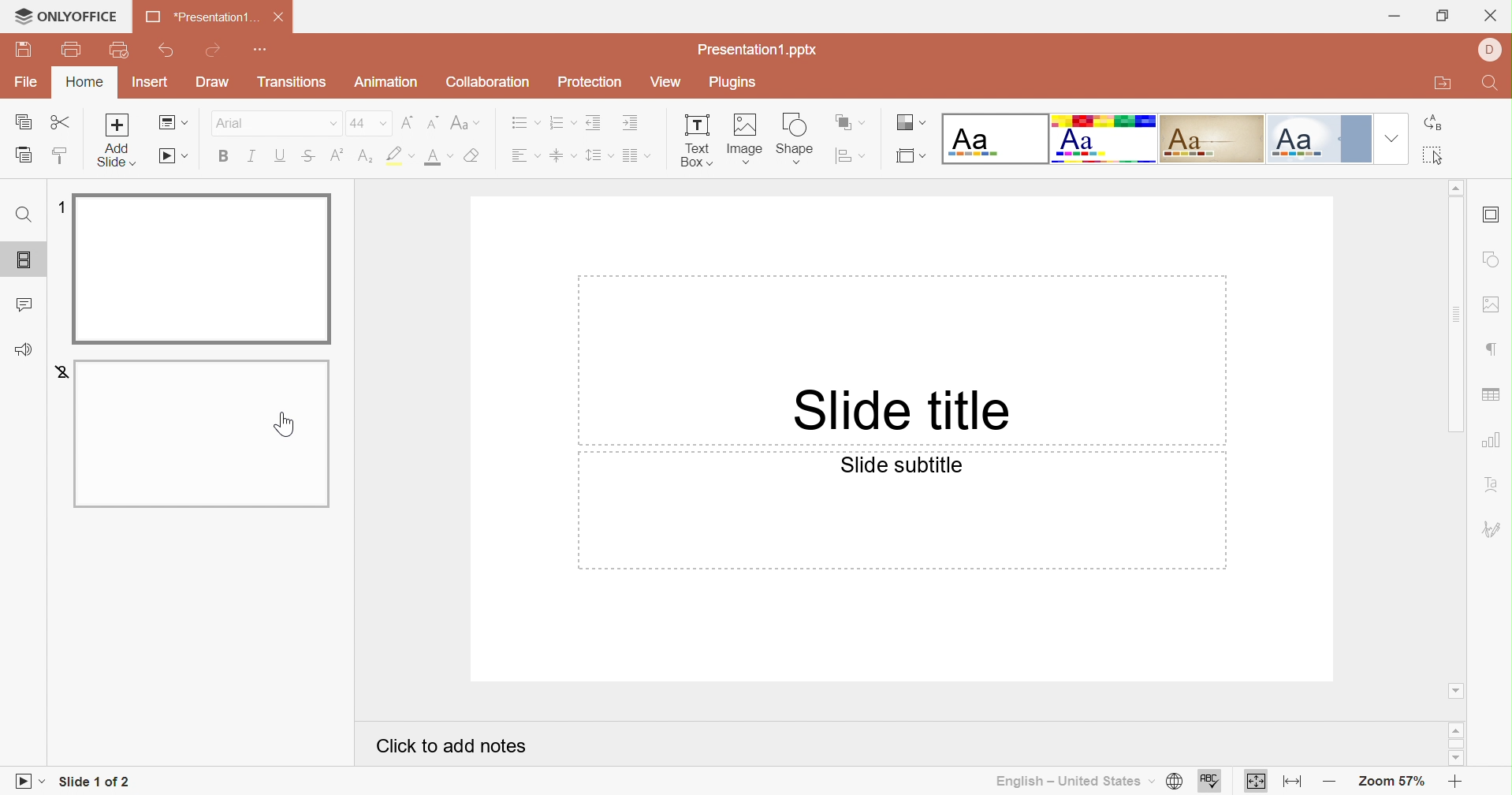 This screenshot has height=795, width=1512. What do you see at coordinates (66, 16) in the screenshot?
I see `ONLYOFFICE` at bounding box center [66, 16].